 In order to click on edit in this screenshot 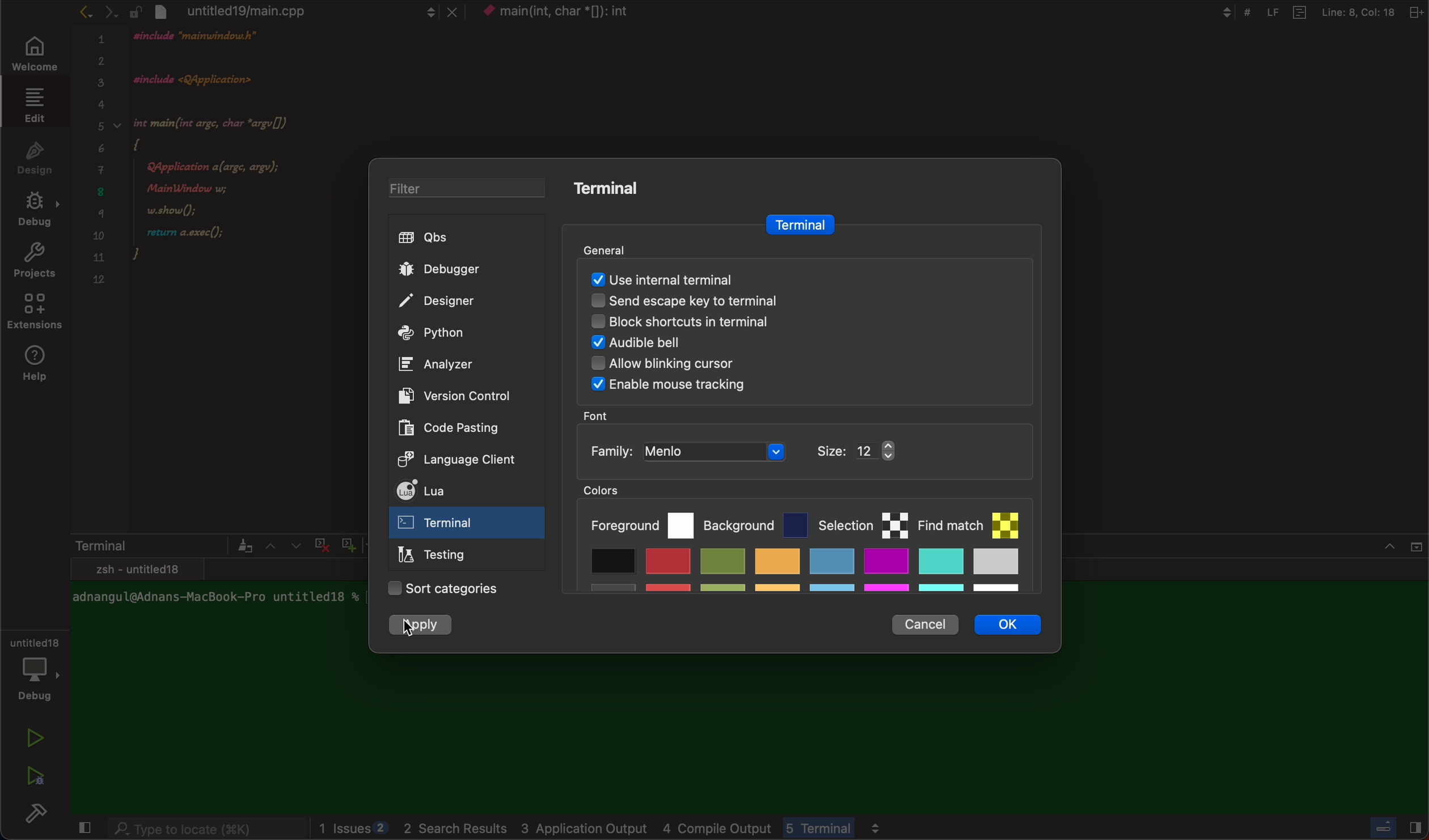, I will do `click(32, 104)`.